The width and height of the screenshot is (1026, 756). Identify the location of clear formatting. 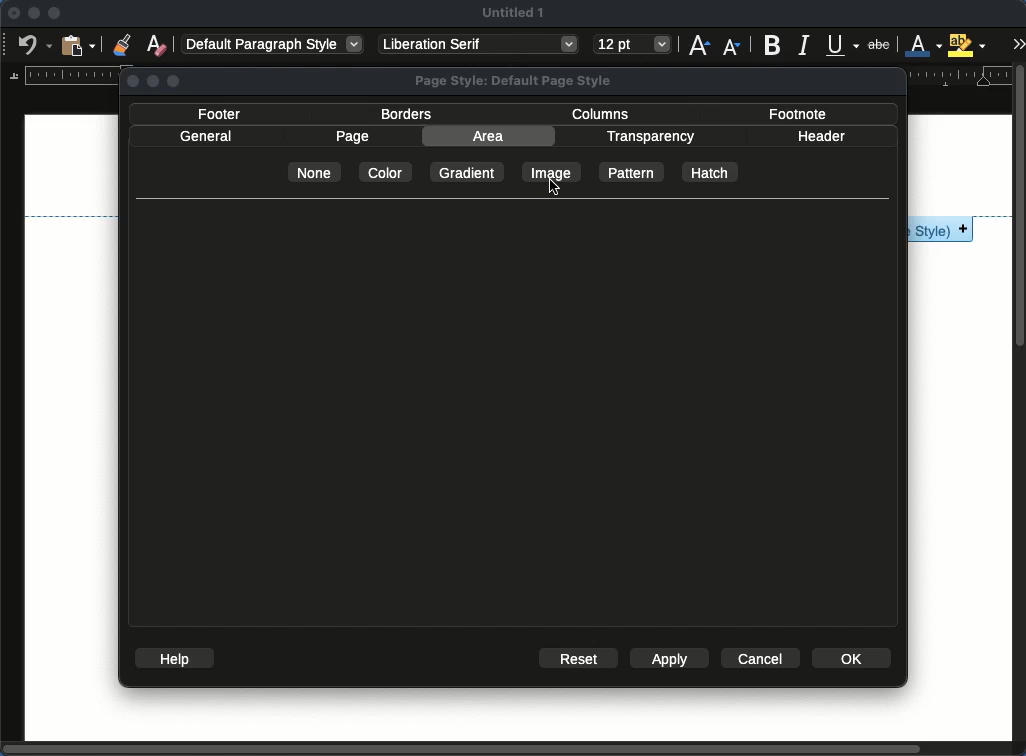
(158, 43).